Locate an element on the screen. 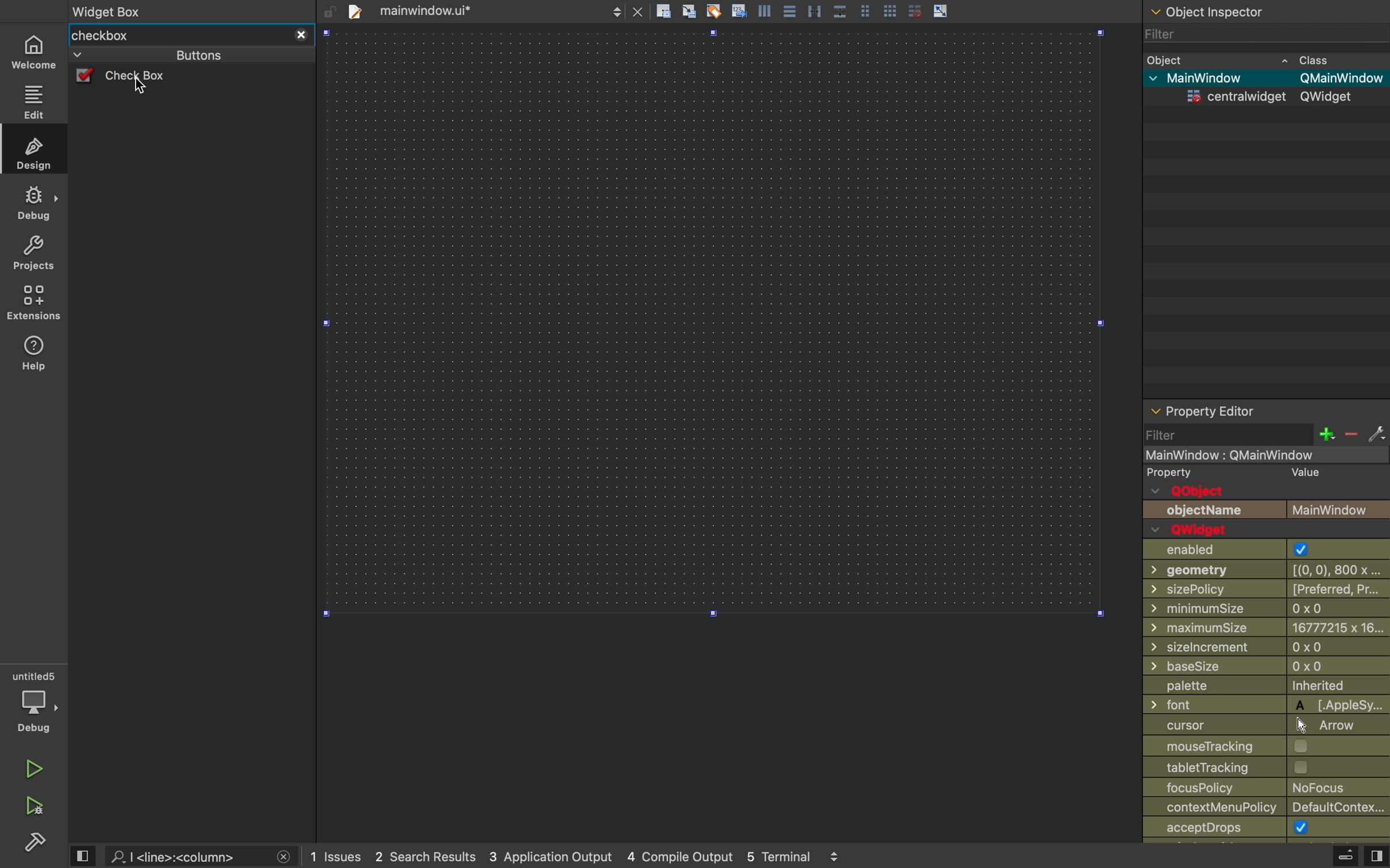 The width and height of the screenshot is (1390, 868). close is located at coordinates (284, 857).